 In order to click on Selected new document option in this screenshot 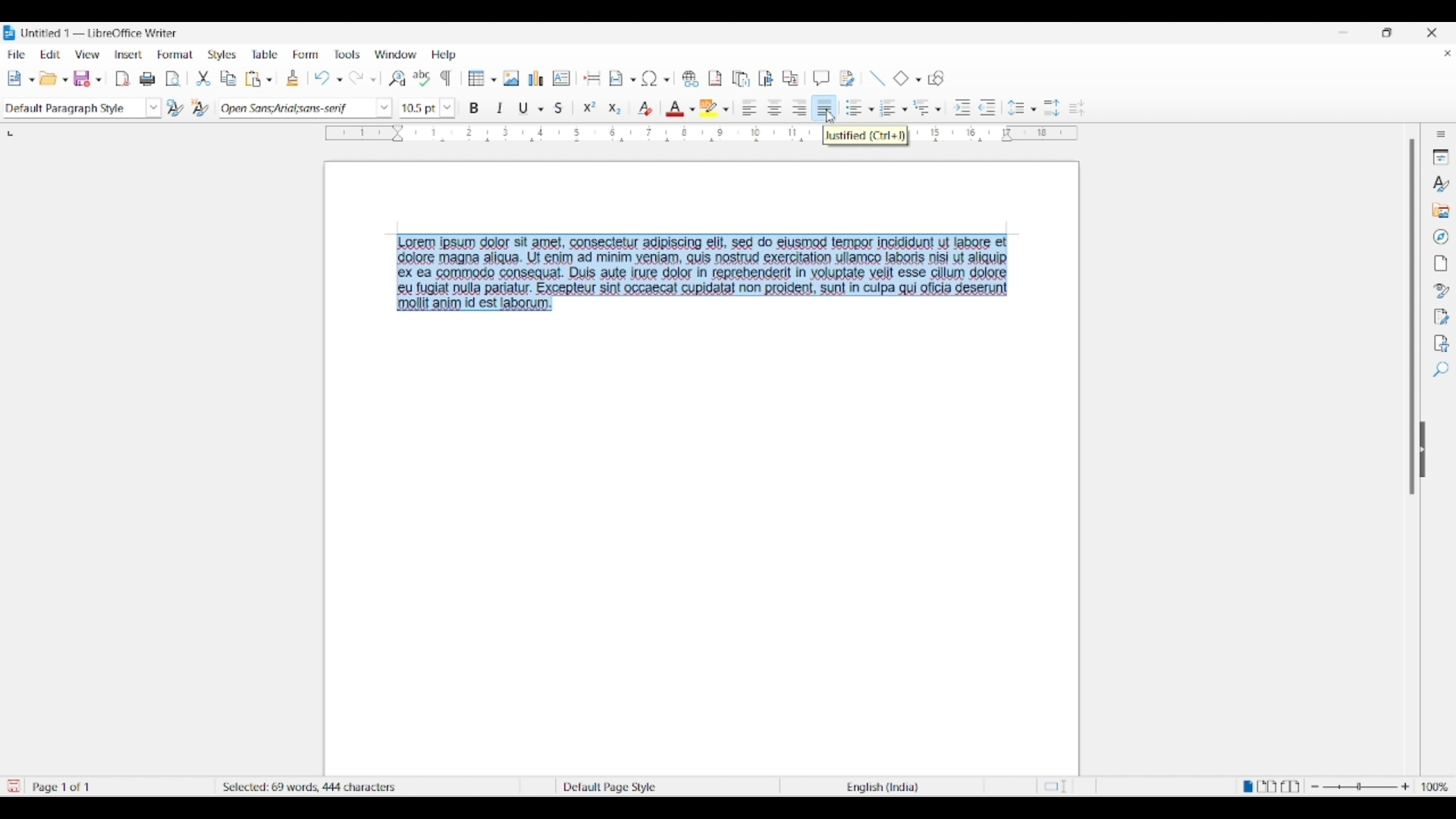, I will do `click(17, 77)`.